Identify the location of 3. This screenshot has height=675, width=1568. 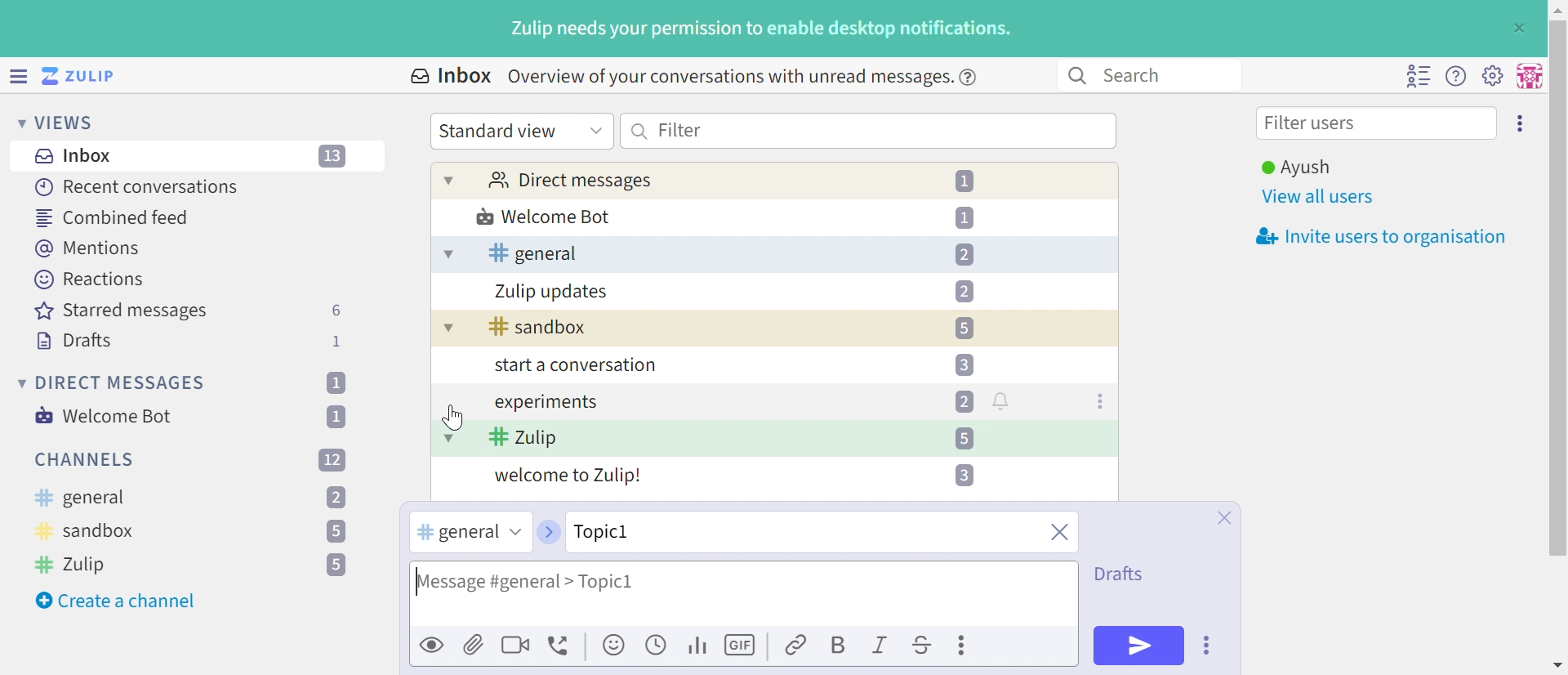
(964, 364).